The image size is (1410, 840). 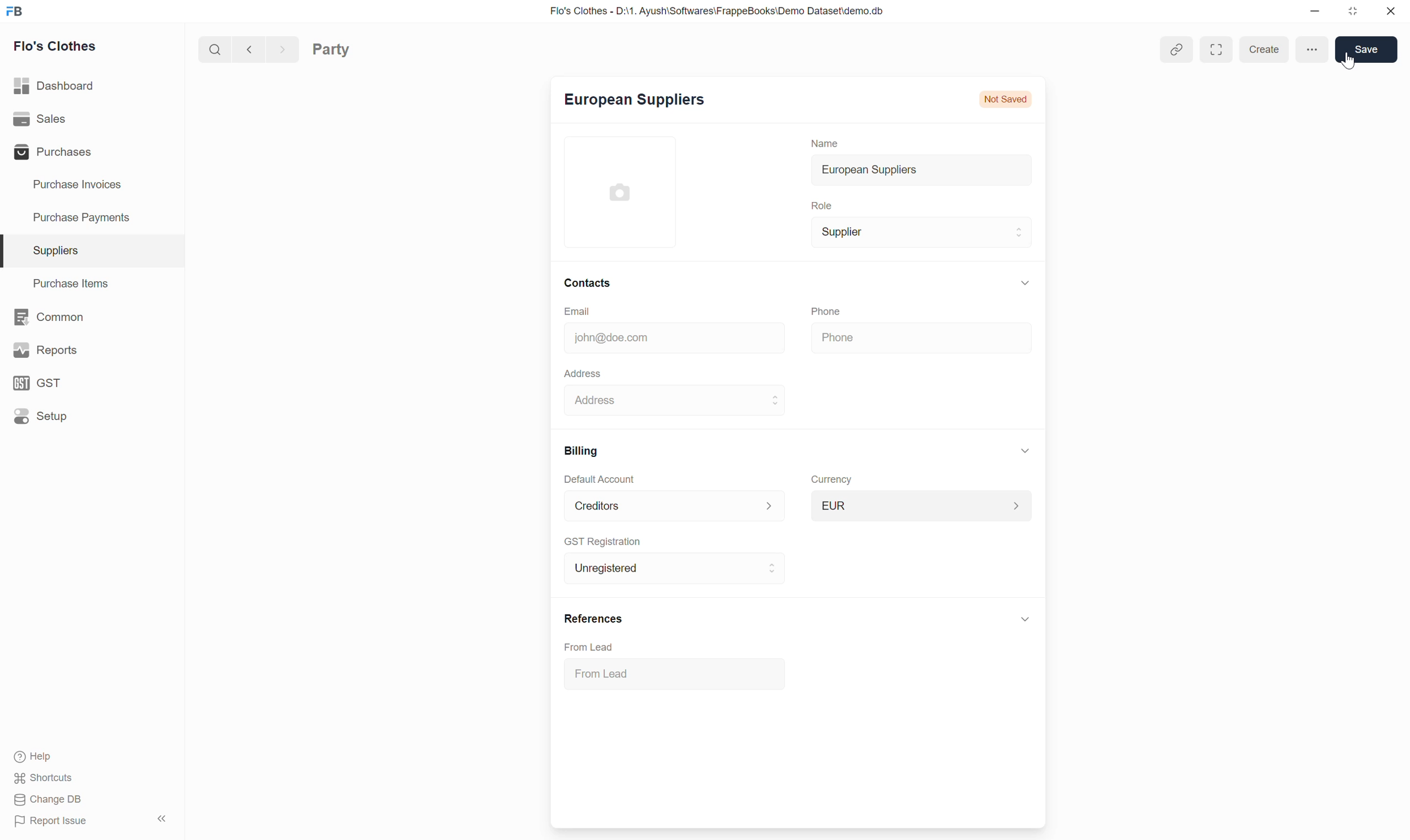 I want to click on Name, so click(x=818, y=140).